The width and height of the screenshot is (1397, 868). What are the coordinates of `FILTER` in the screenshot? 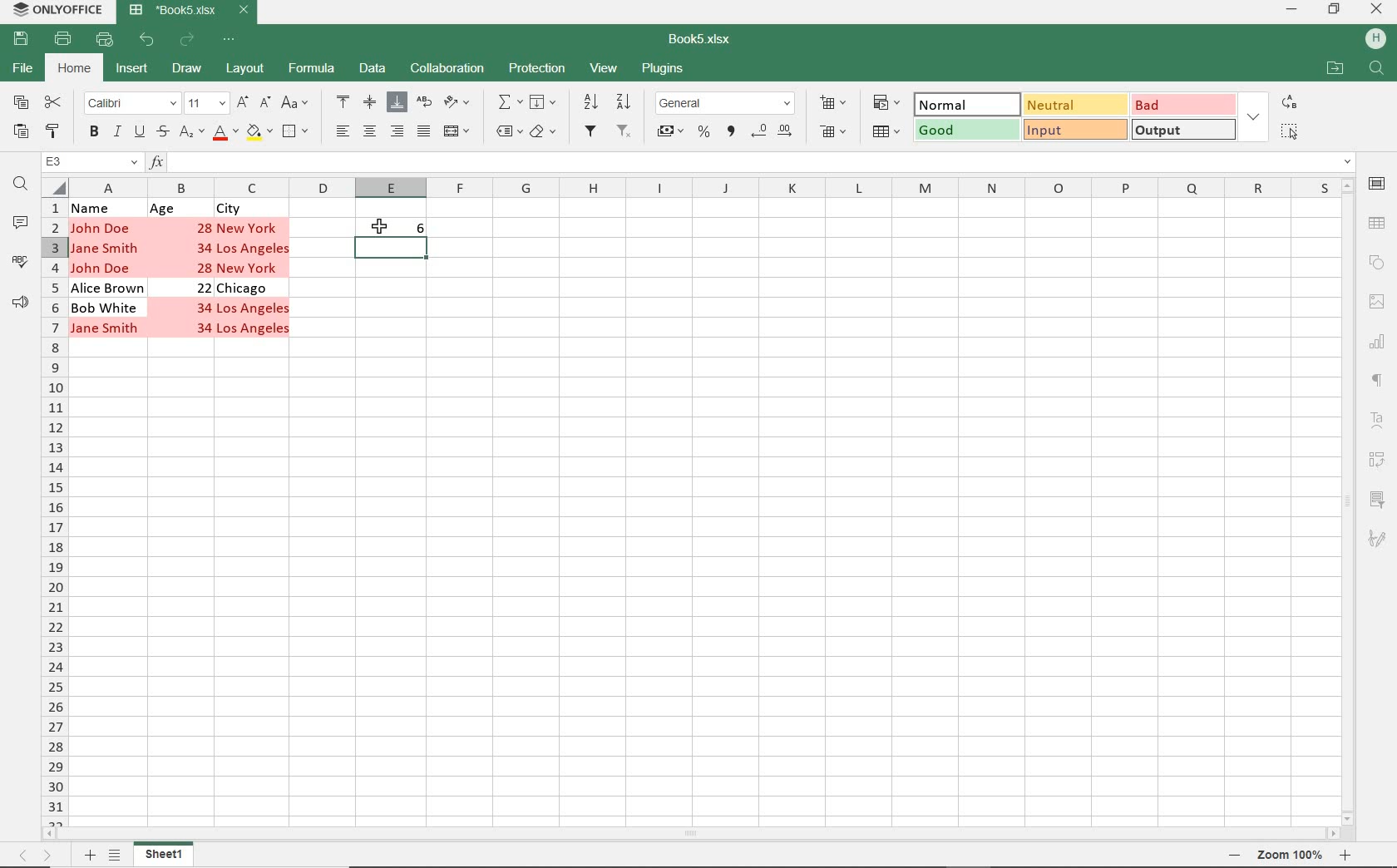 It's located at (591, 132).